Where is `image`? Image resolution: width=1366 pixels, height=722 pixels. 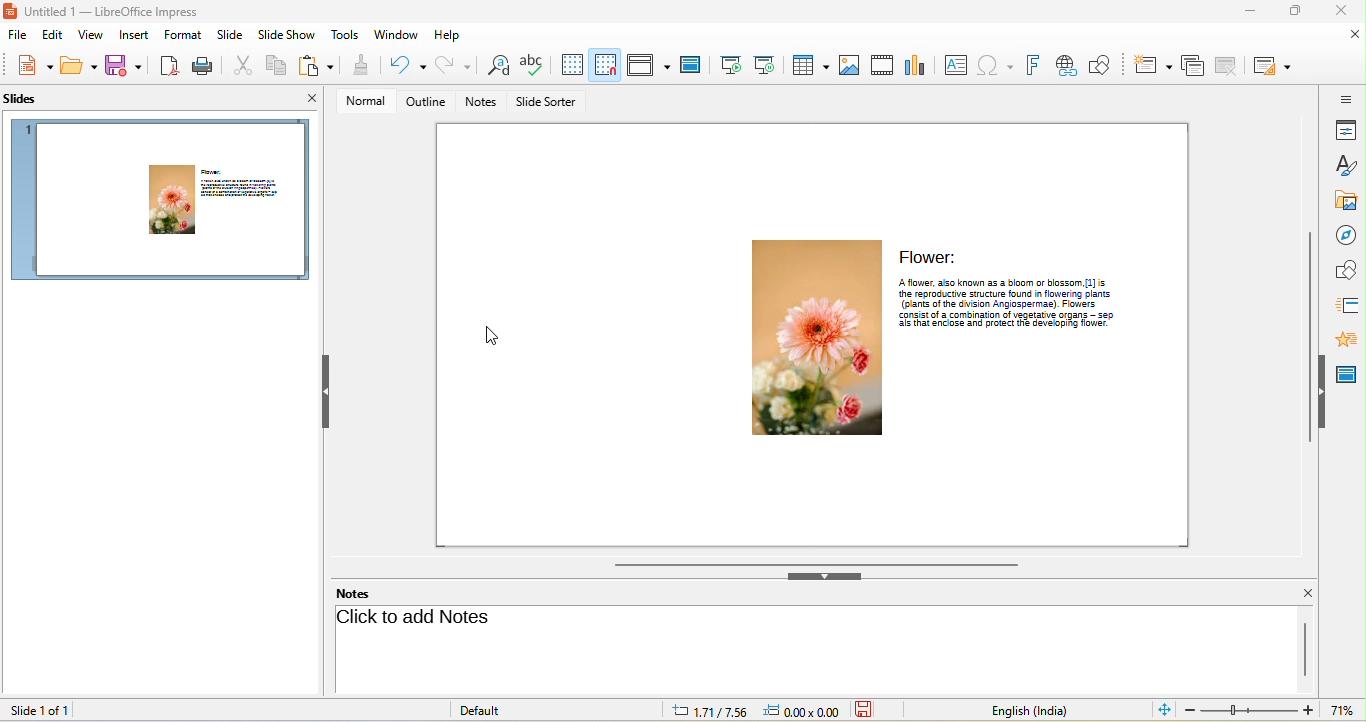 image is located at coordinates (850, 65).